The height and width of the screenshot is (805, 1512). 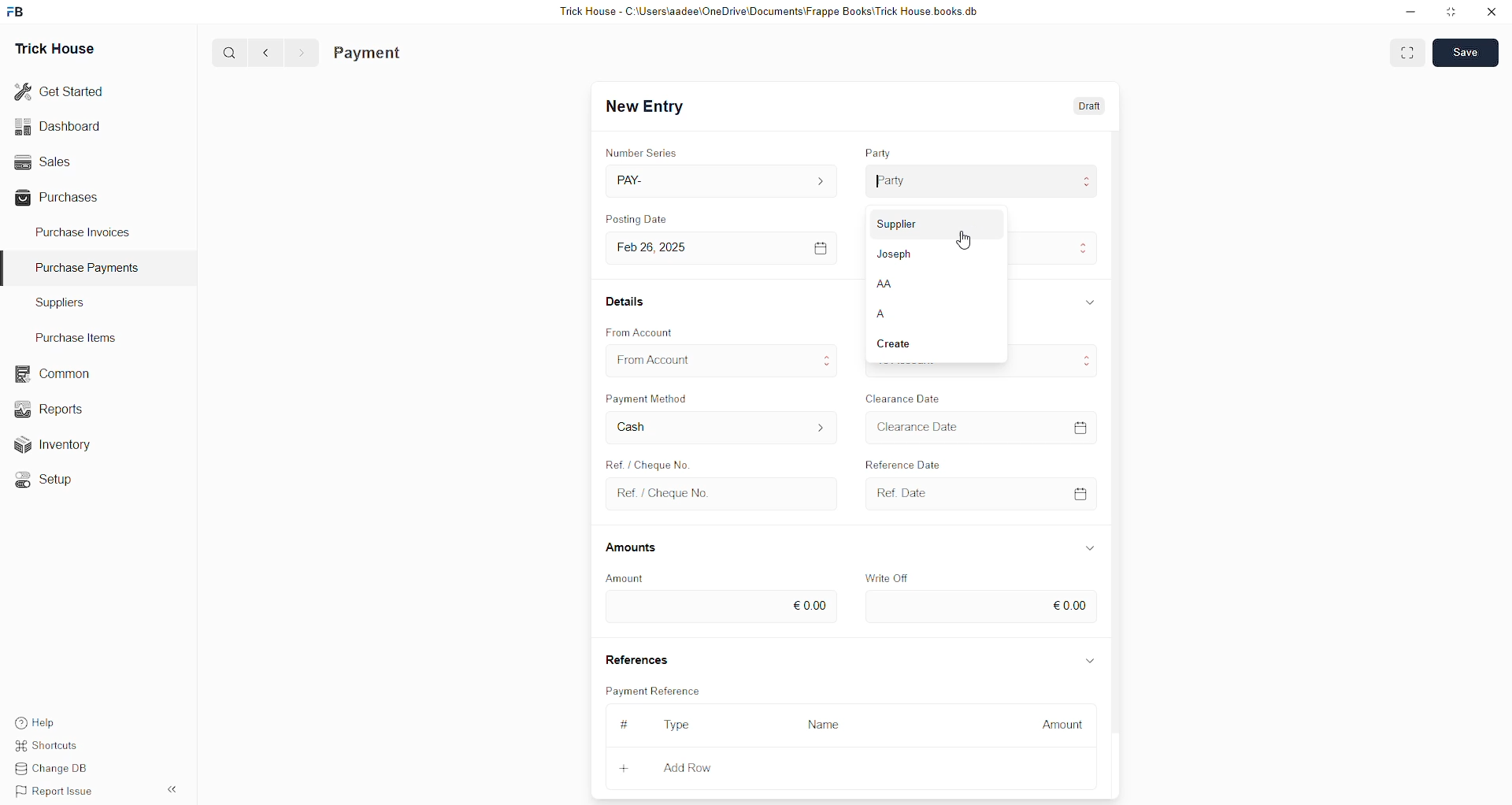 I want to click on Help, so click(x=35, y=723).